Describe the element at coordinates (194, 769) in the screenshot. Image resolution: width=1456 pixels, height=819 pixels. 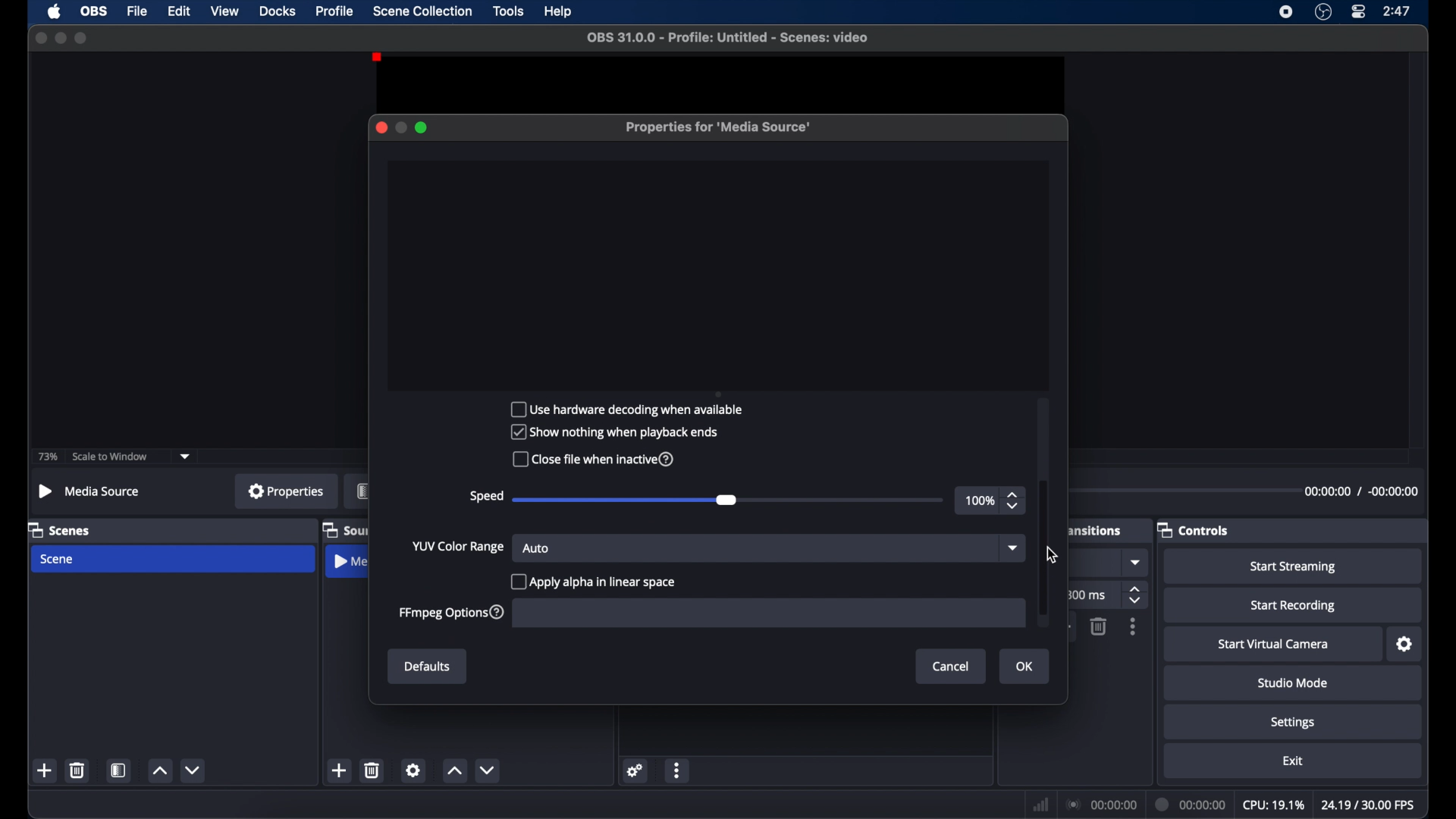
I see `decrement button` at that location.